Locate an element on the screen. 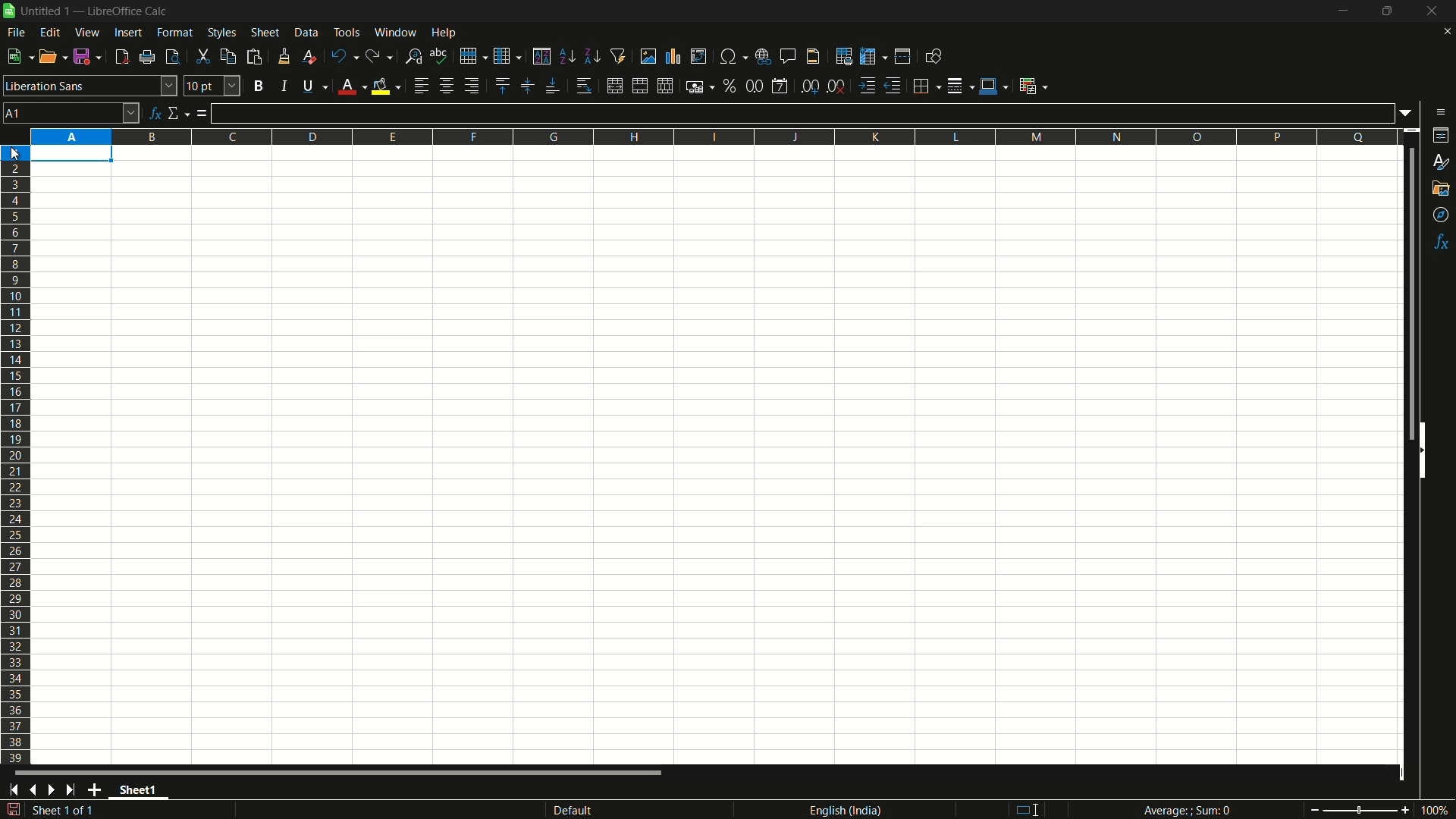 The height and width of the screenshot is (819, 1456). toggle print review is located at coordinates (171, 57).